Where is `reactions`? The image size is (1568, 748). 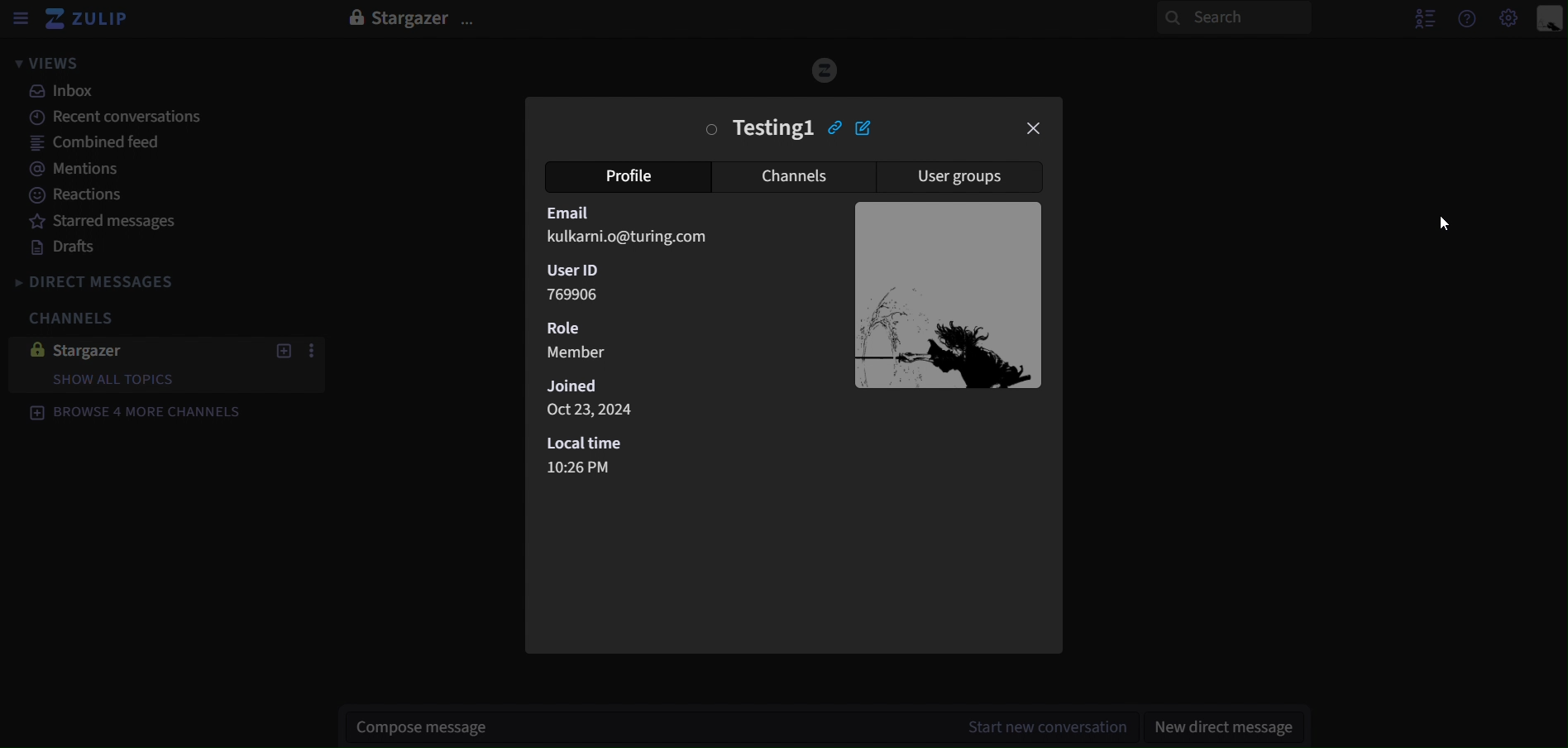
reactions is located at coordinates (81, 196).